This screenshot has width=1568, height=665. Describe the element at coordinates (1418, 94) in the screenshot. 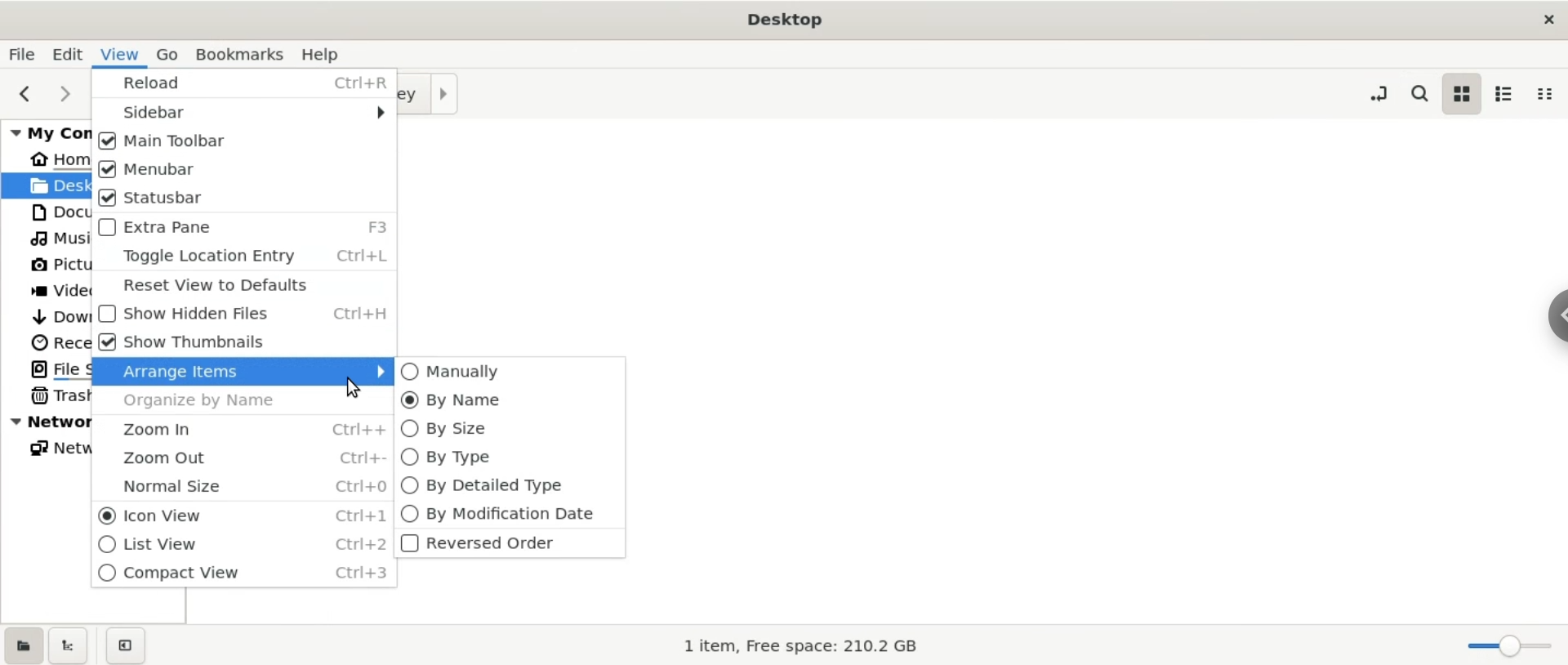

I see `search ` at that location.